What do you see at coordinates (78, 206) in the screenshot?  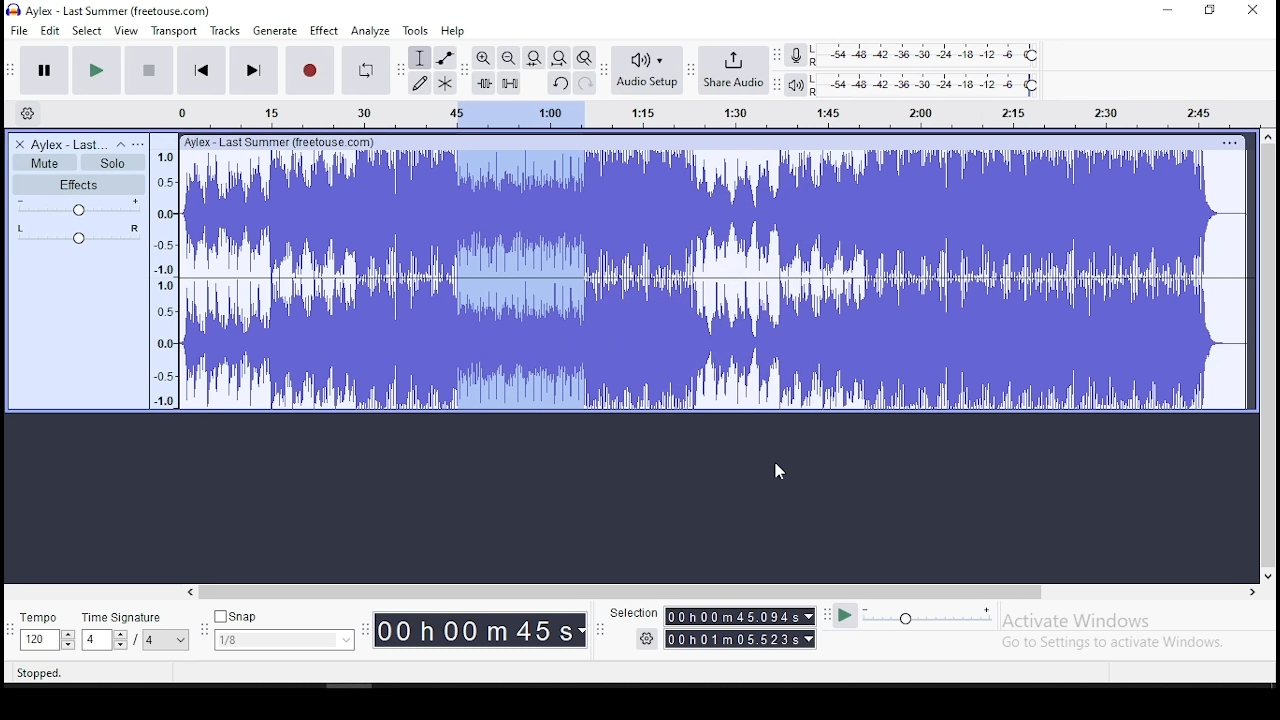 I see `volume` at bounding box center [78, 206].